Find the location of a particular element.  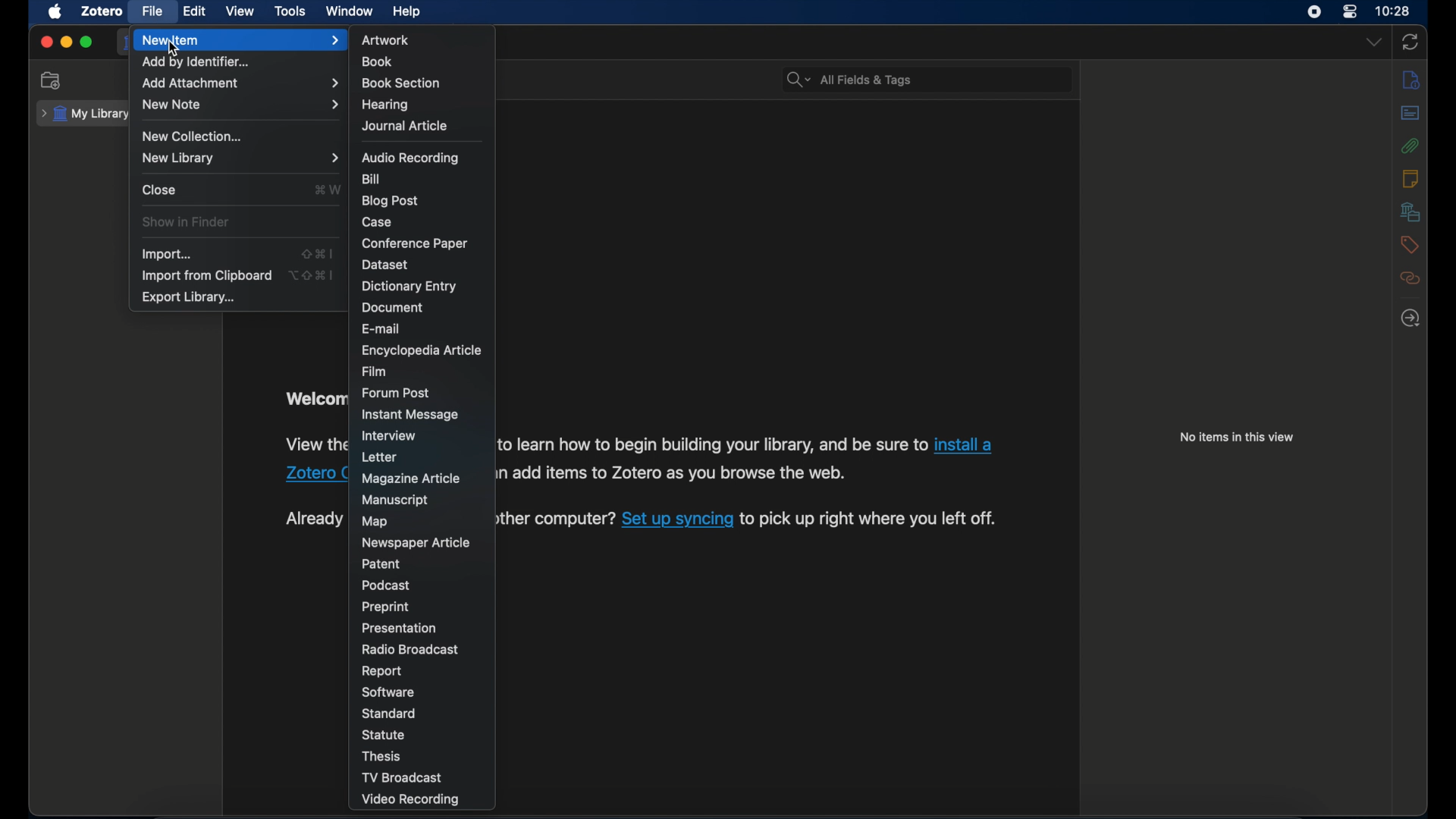

link is located at coordinates (868, 517).